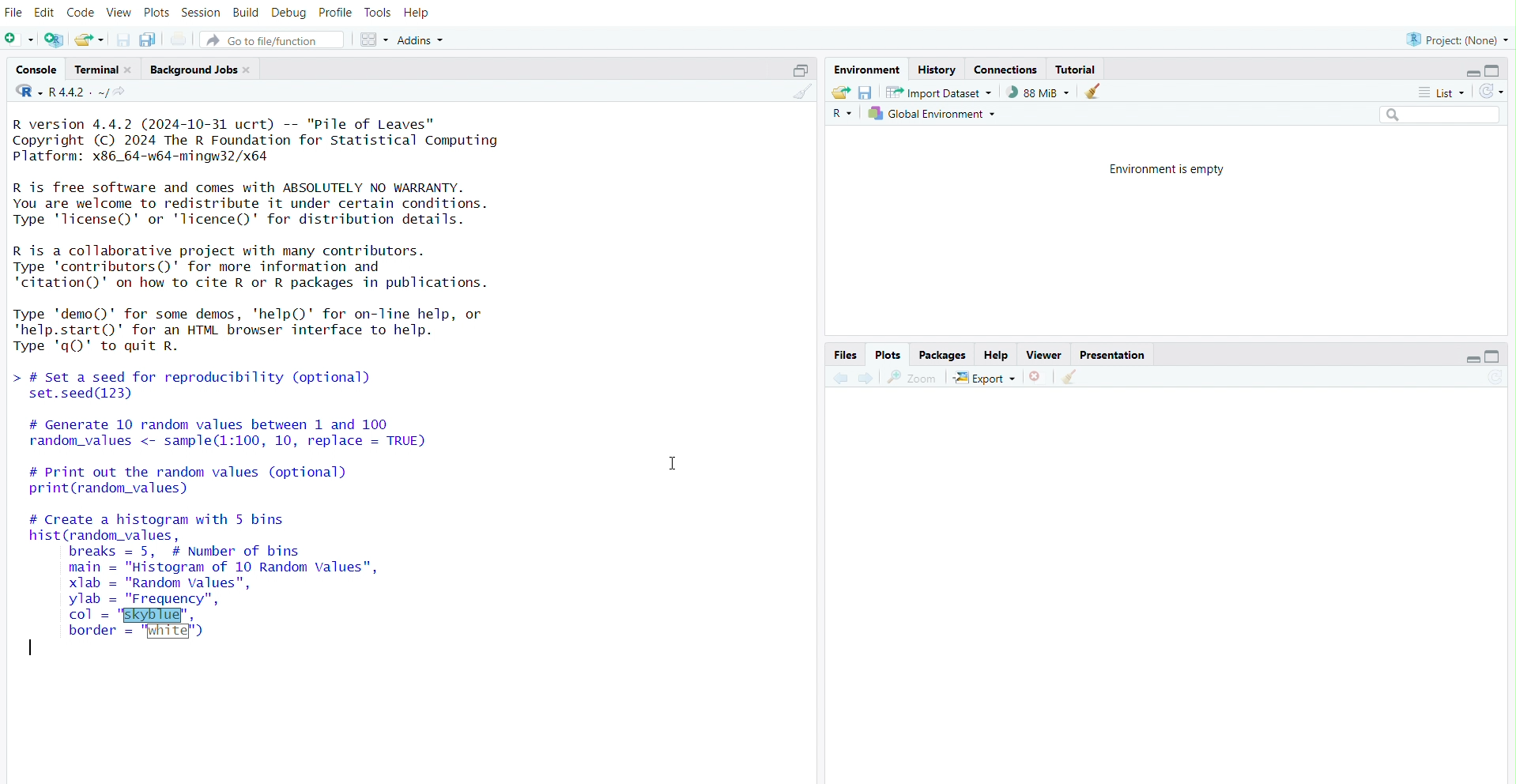 The image size is (1516, 784). What do you see at coordinates (273, 37) in the screenshot?
I see `go to file/function` at bounding box center [273, 37].